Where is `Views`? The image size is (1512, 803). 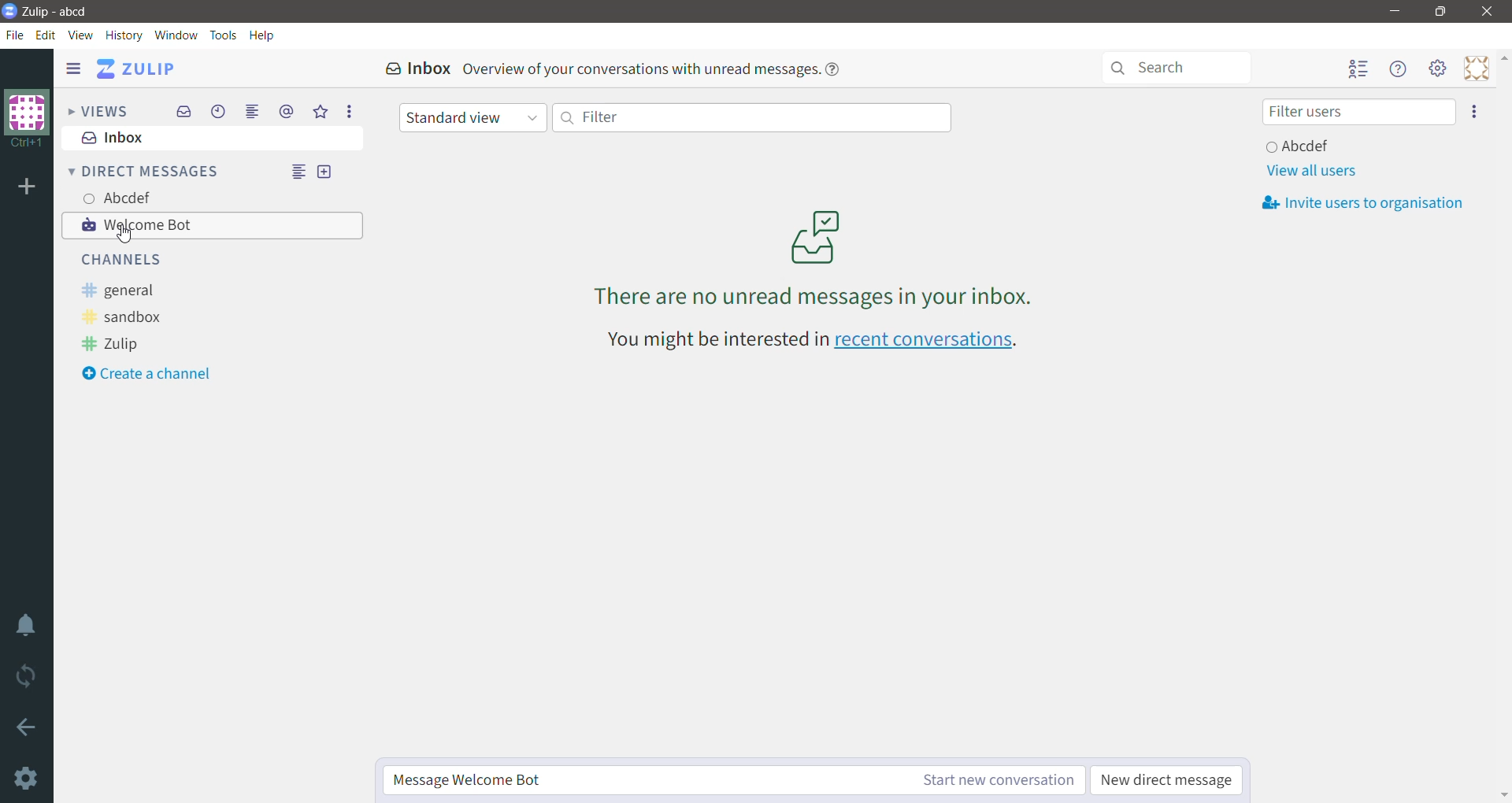
Views is located at coordinates (98, 111).